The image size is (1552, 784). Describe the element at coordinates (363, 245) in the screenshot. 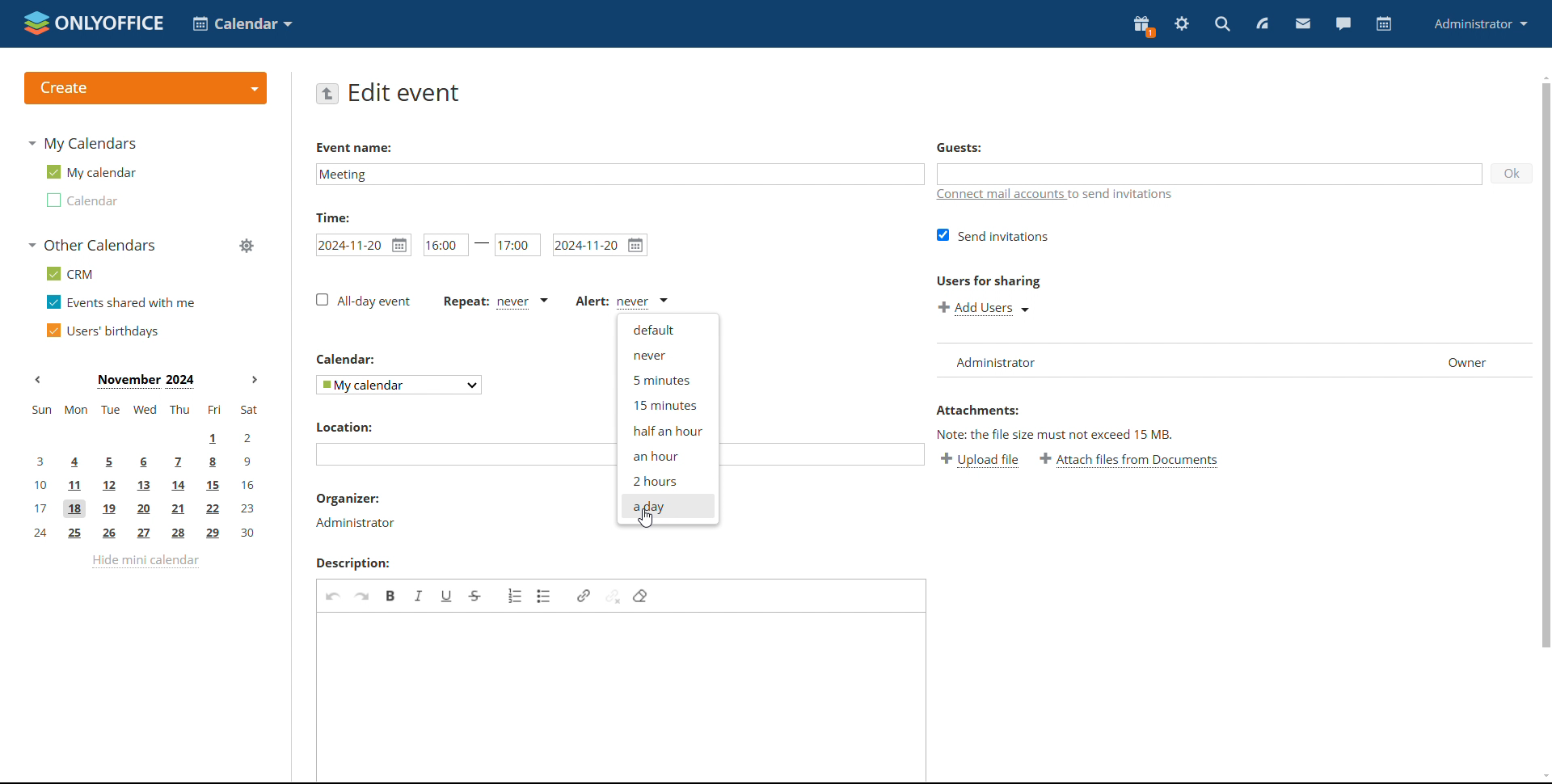

I see `start date` at that location.